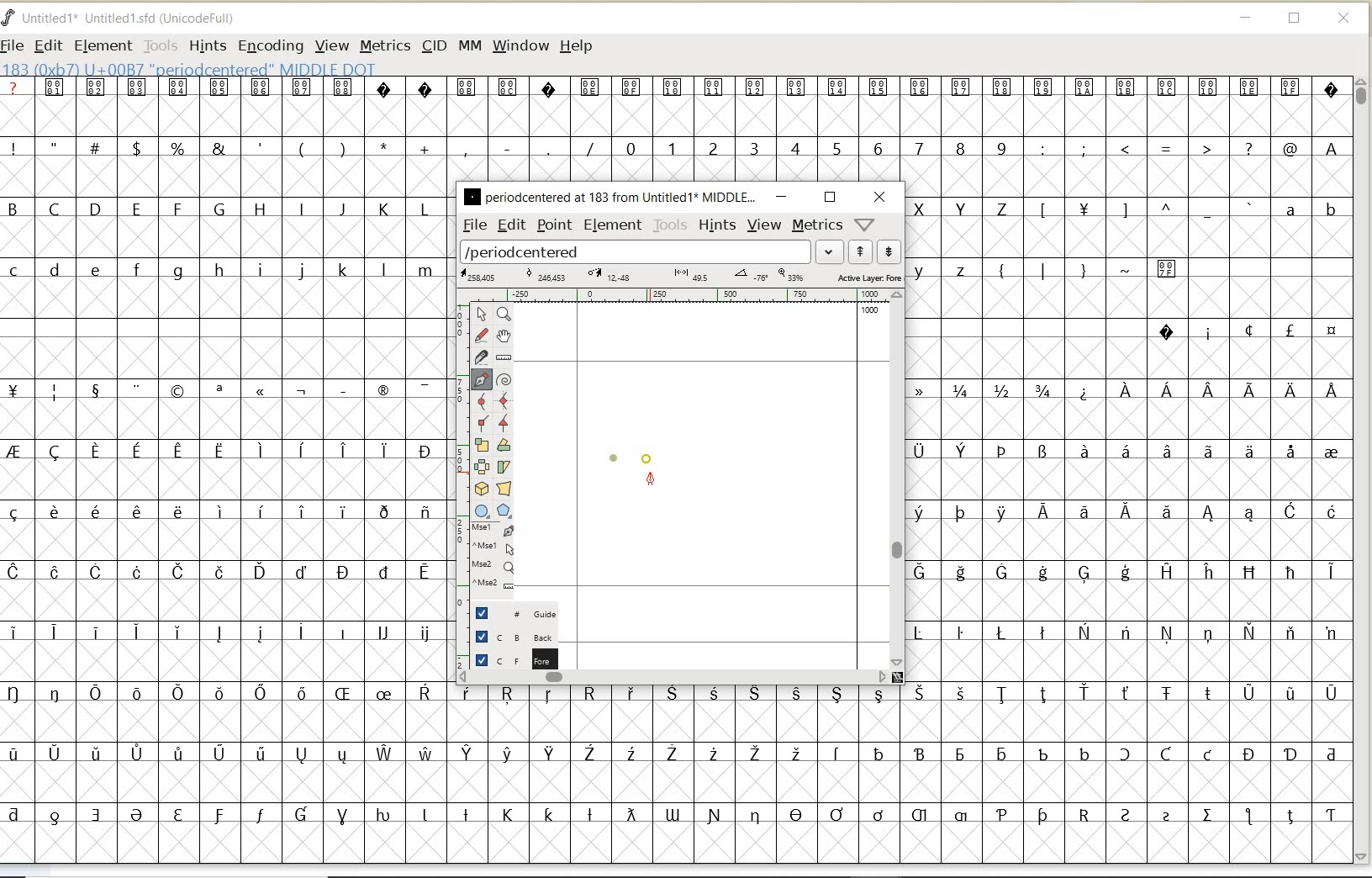 Image resolution: width=1372 pixels, height=878 pixels. I want to click on special characters, so click(1131, 526).